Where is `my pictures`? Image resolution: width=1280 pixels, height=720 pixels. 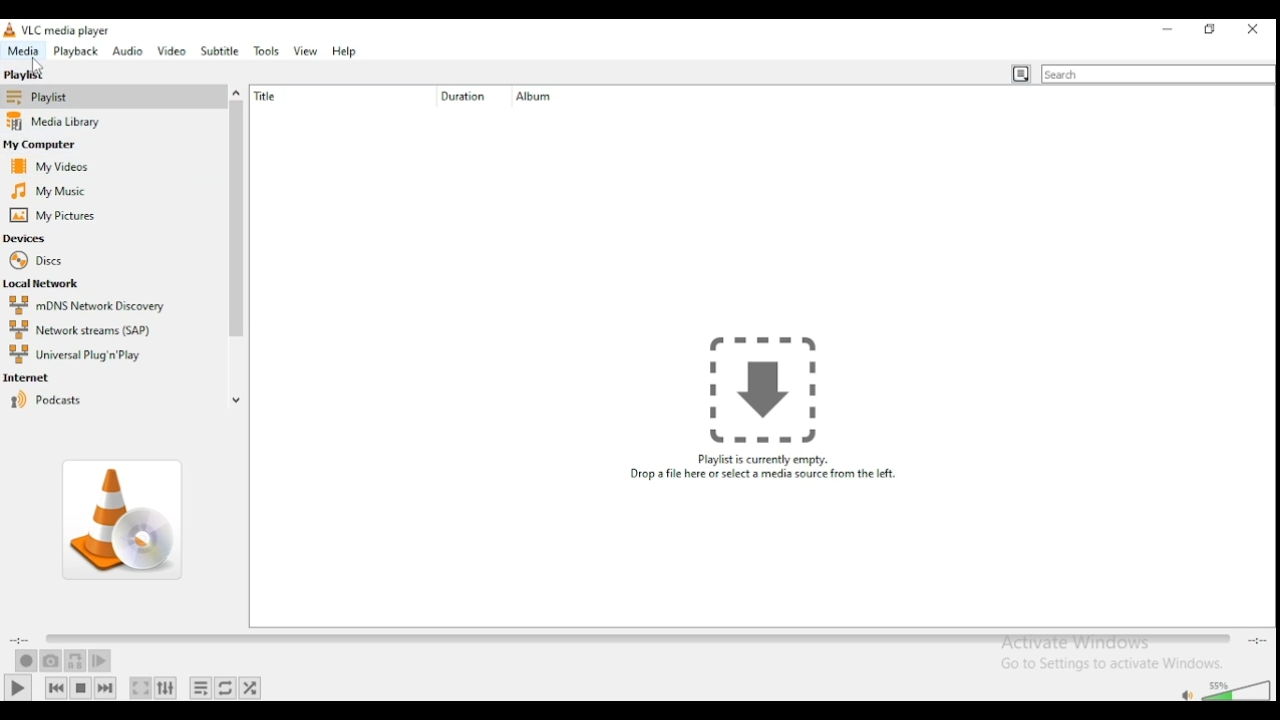 my pictures is located at coordinates (58, 215).